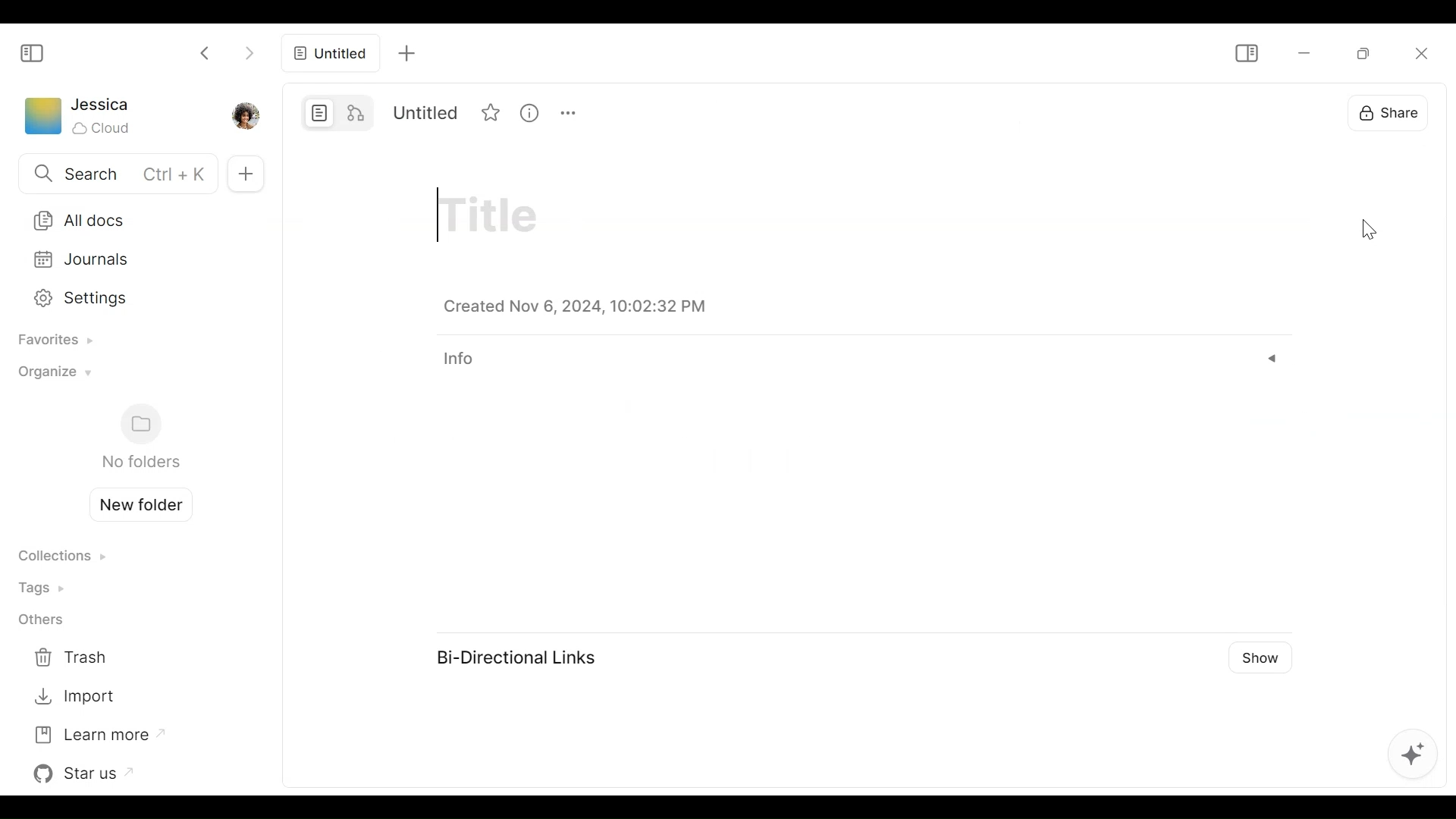  What do you see at coordinates (1302, 54) in the screenshot?
I see `minimize` at bounding box center [1302, 54].